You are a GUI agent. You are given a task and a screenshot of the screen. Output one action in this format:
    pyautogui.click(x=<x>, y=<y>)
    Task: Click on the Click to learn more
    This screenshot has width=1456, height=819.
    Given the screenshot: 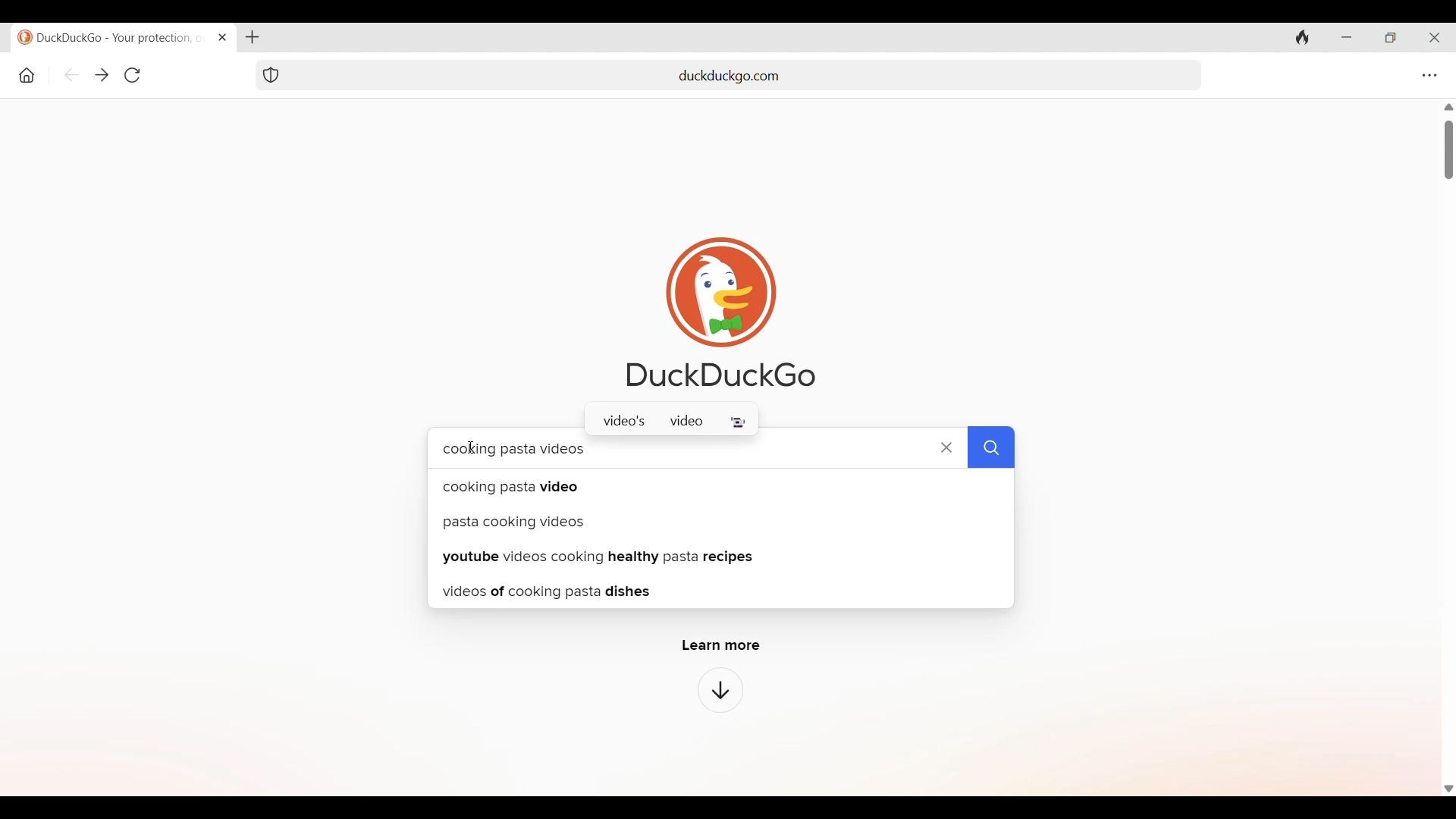 What is the action you would take?
    pyautogui.click(x=720, y=690)
    